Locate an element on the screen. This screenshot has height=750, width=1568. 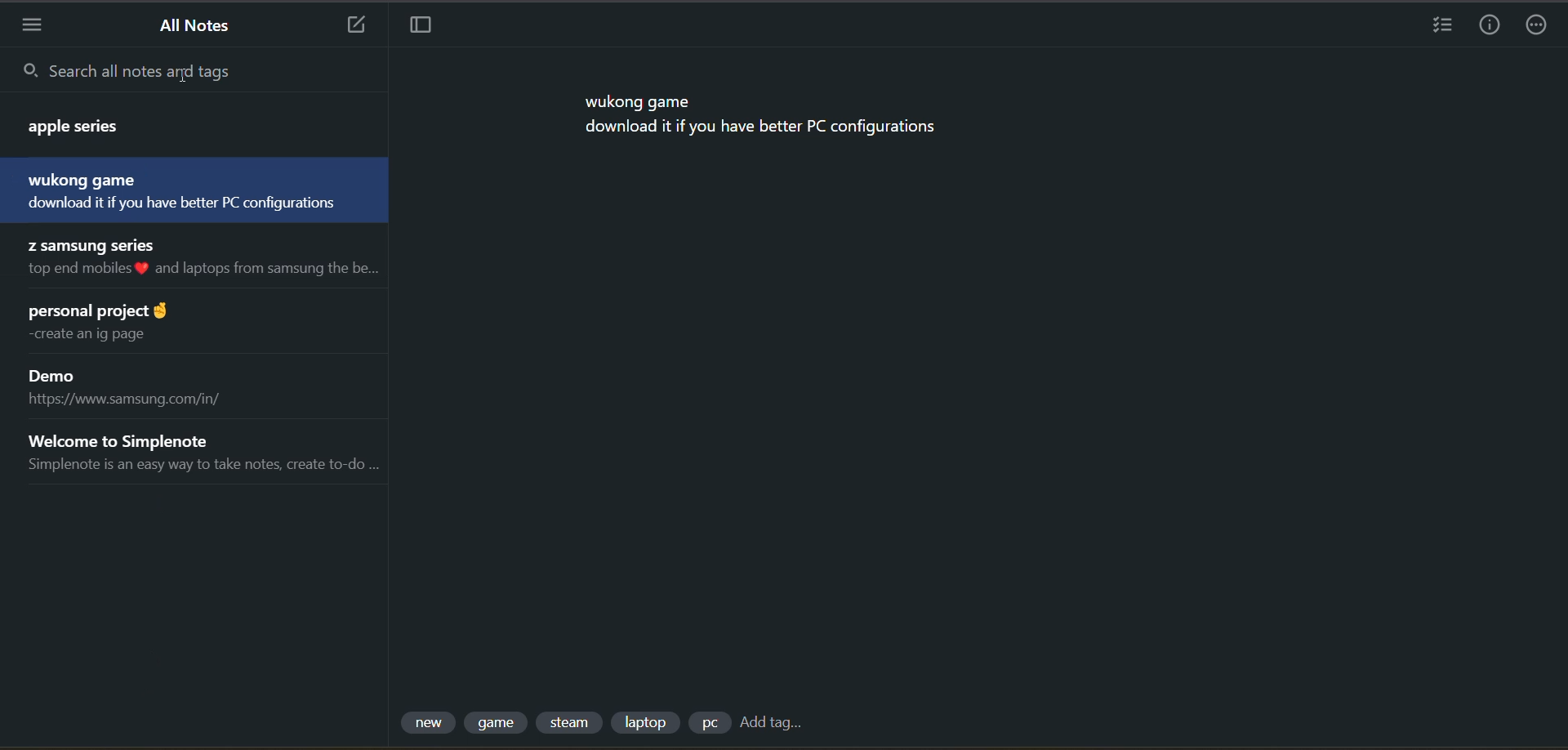
cursor is located at coordinates (182, 75).